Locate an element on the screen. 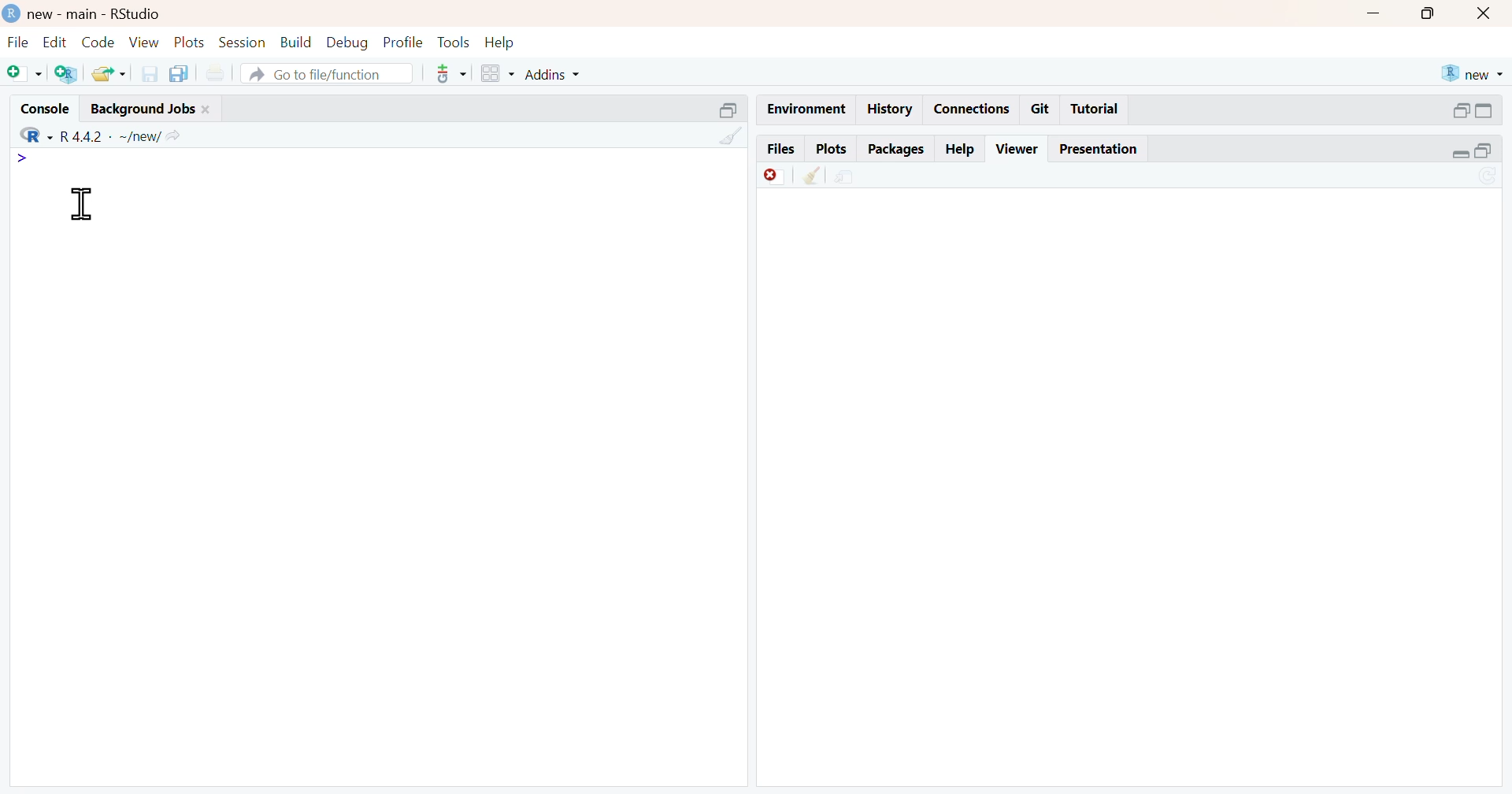 The height and width of the screenshot is (794, 1512). new script is located at coordinates (24, 74).